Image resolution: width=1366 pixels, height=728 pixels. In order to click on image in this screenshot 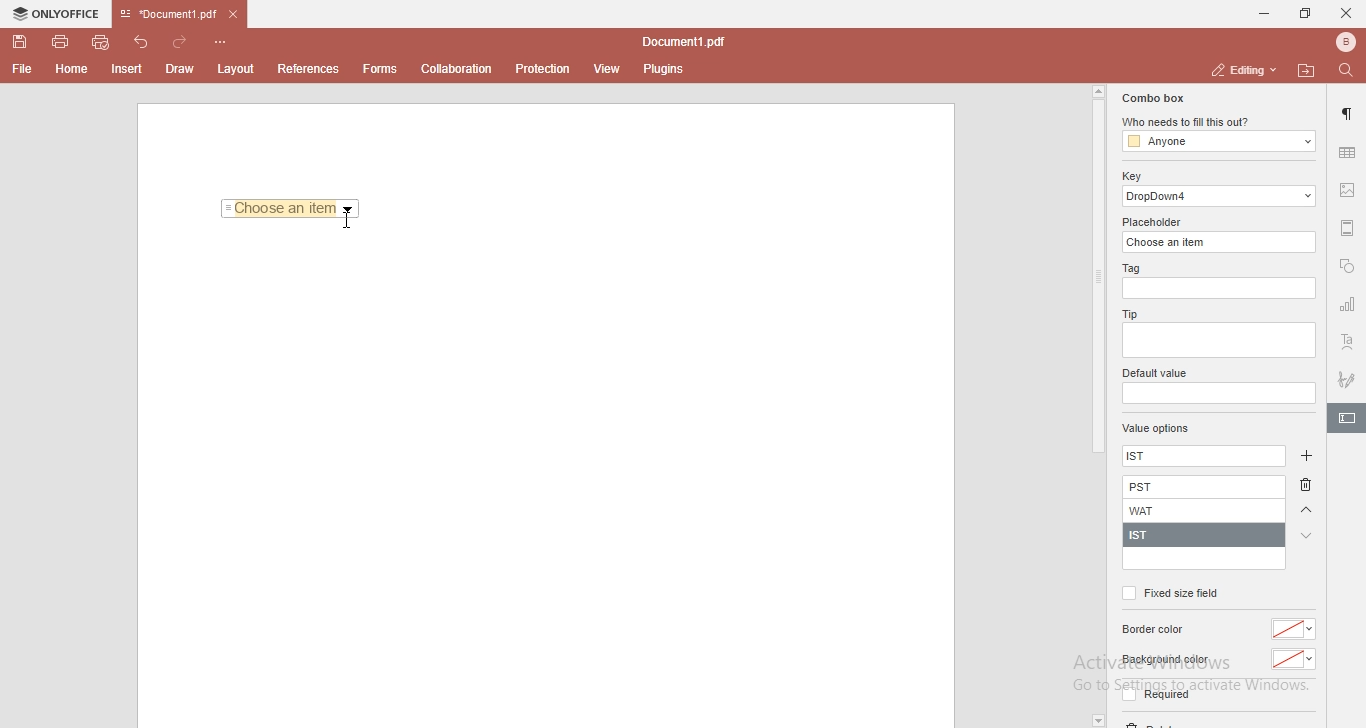, I will do `click(1349, 192)`.